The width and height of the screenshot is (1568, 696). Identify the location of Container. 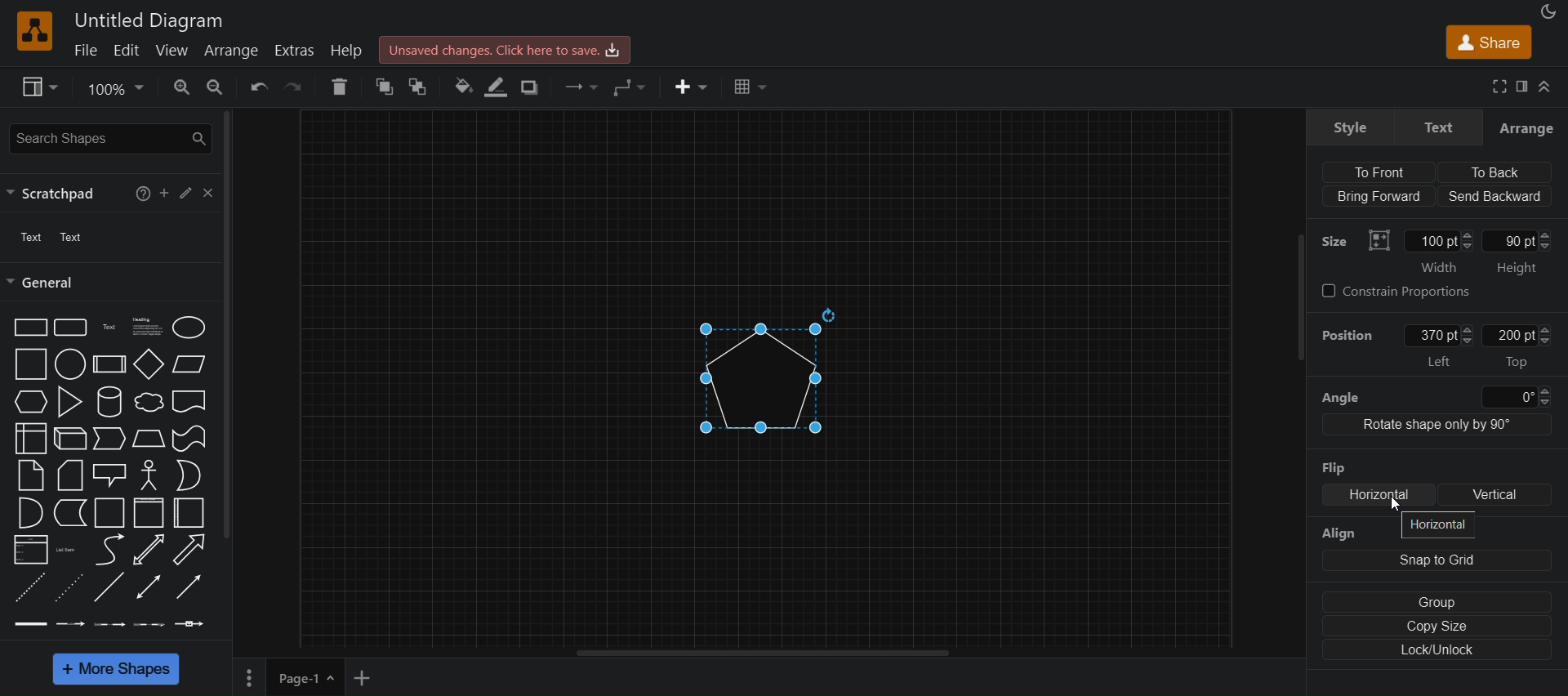
(149, 513).